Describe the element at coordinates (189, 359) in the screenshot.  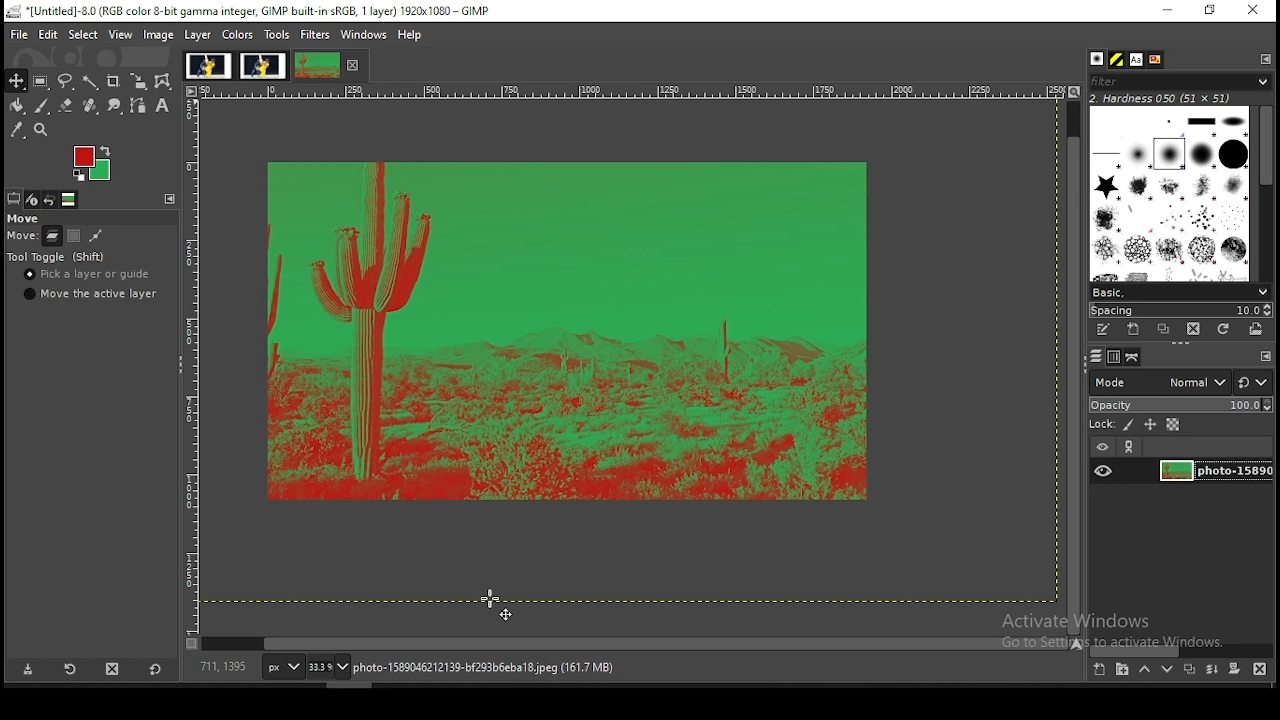
I see `scale` at that location.